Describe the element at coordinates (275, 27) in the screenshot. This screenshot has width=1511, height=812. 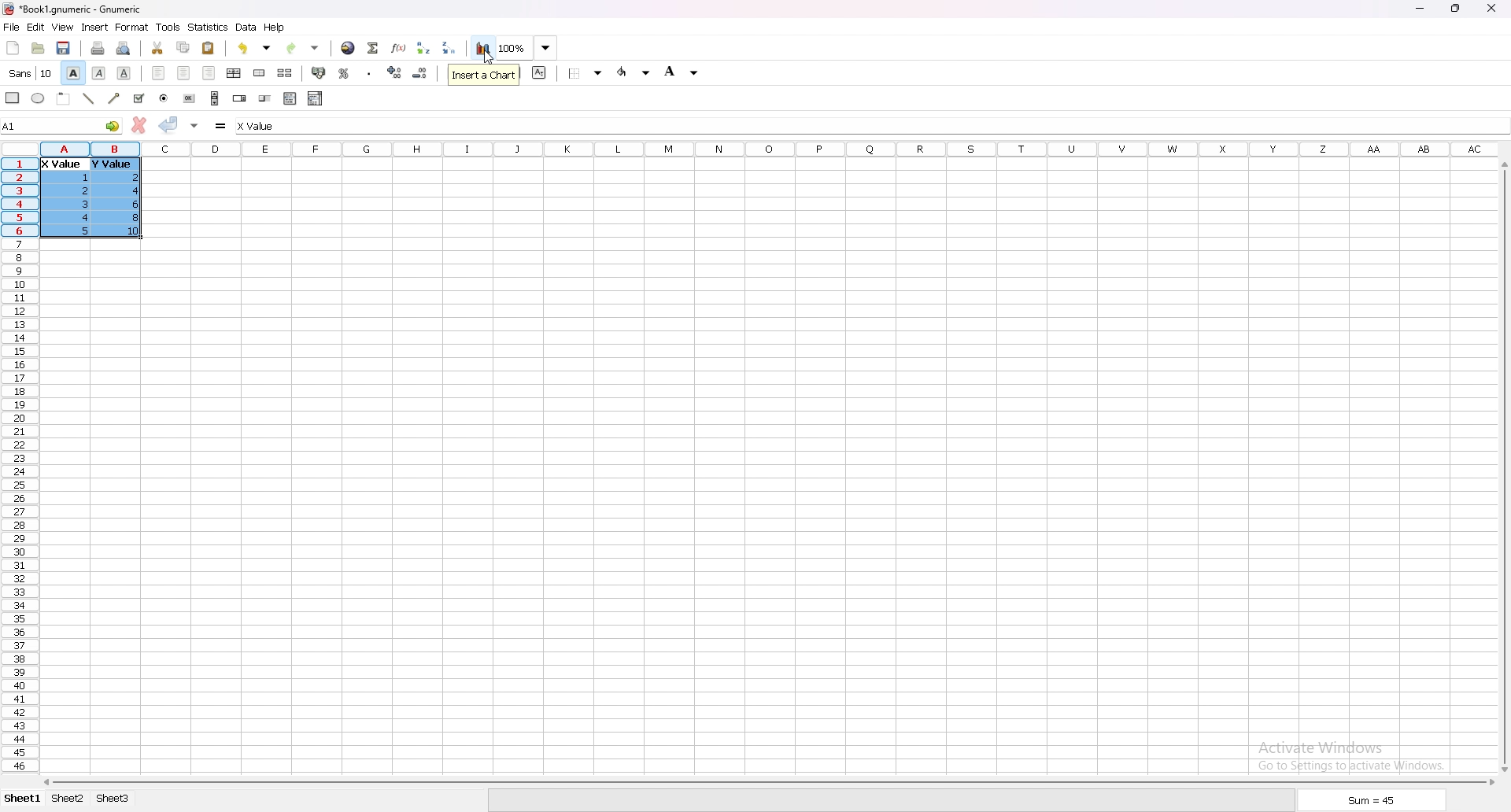
I see `help` at that location.